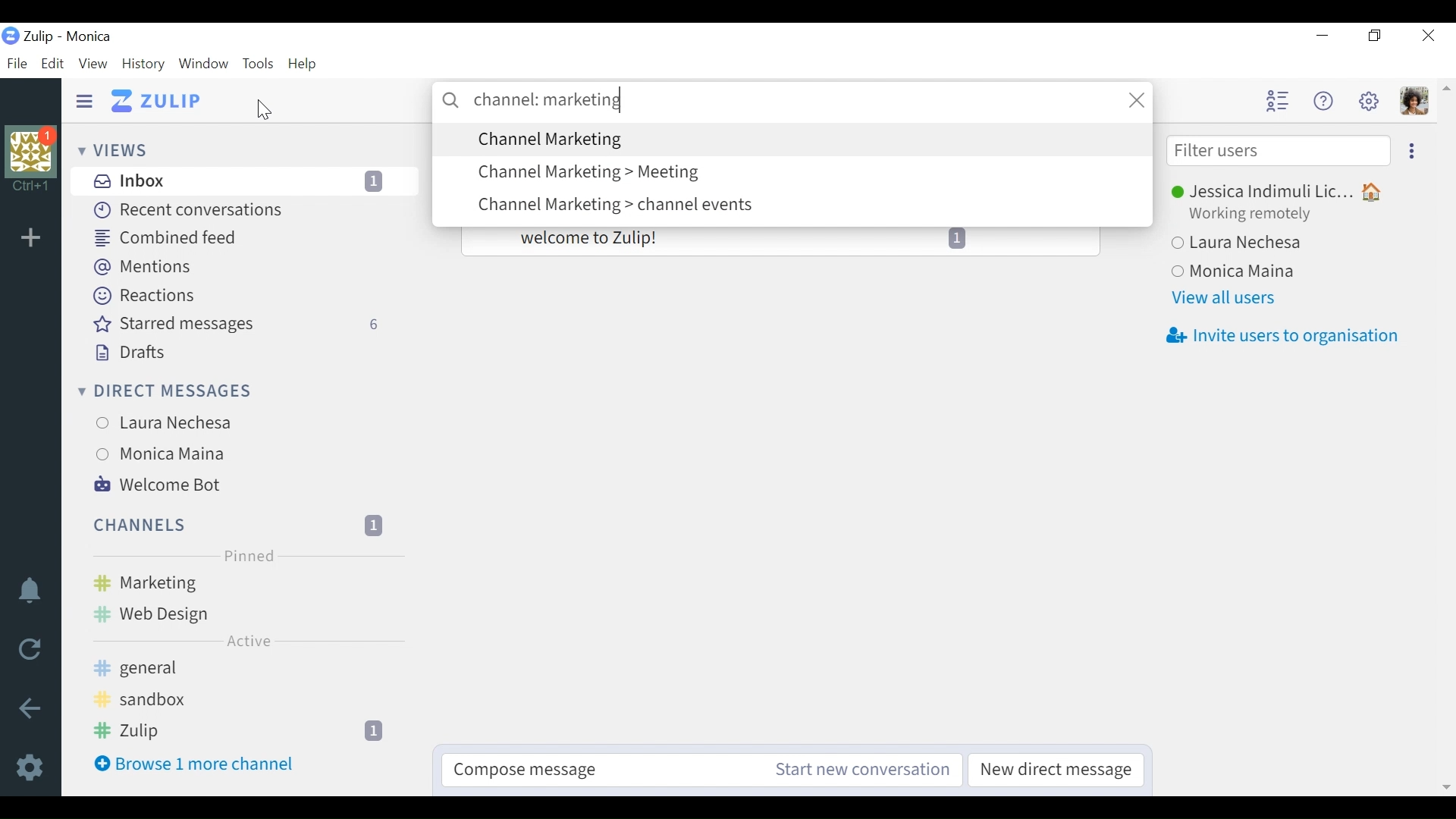  What do you see at coordinates (303, 63) in the screenshot?
I see `Help` at bounding box center [303, 63].